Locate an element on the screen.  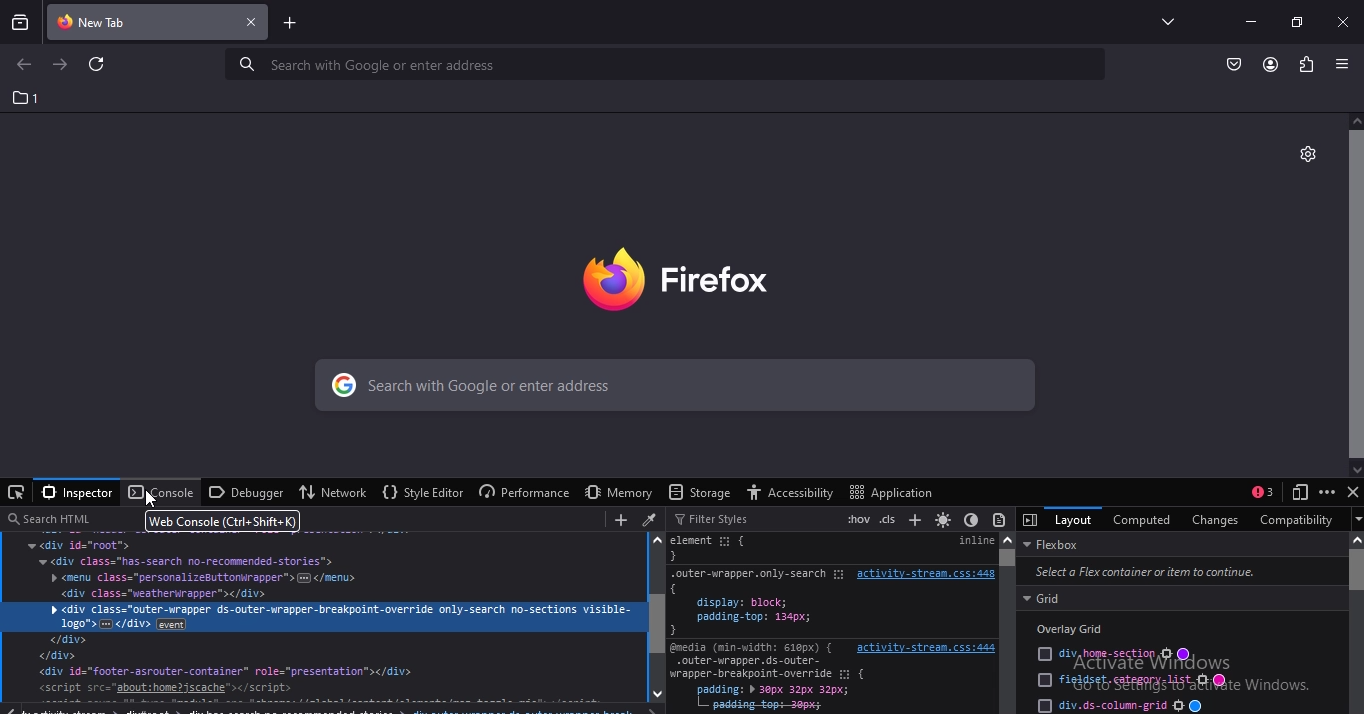
toggle classes is located at coordinates (889, 518).